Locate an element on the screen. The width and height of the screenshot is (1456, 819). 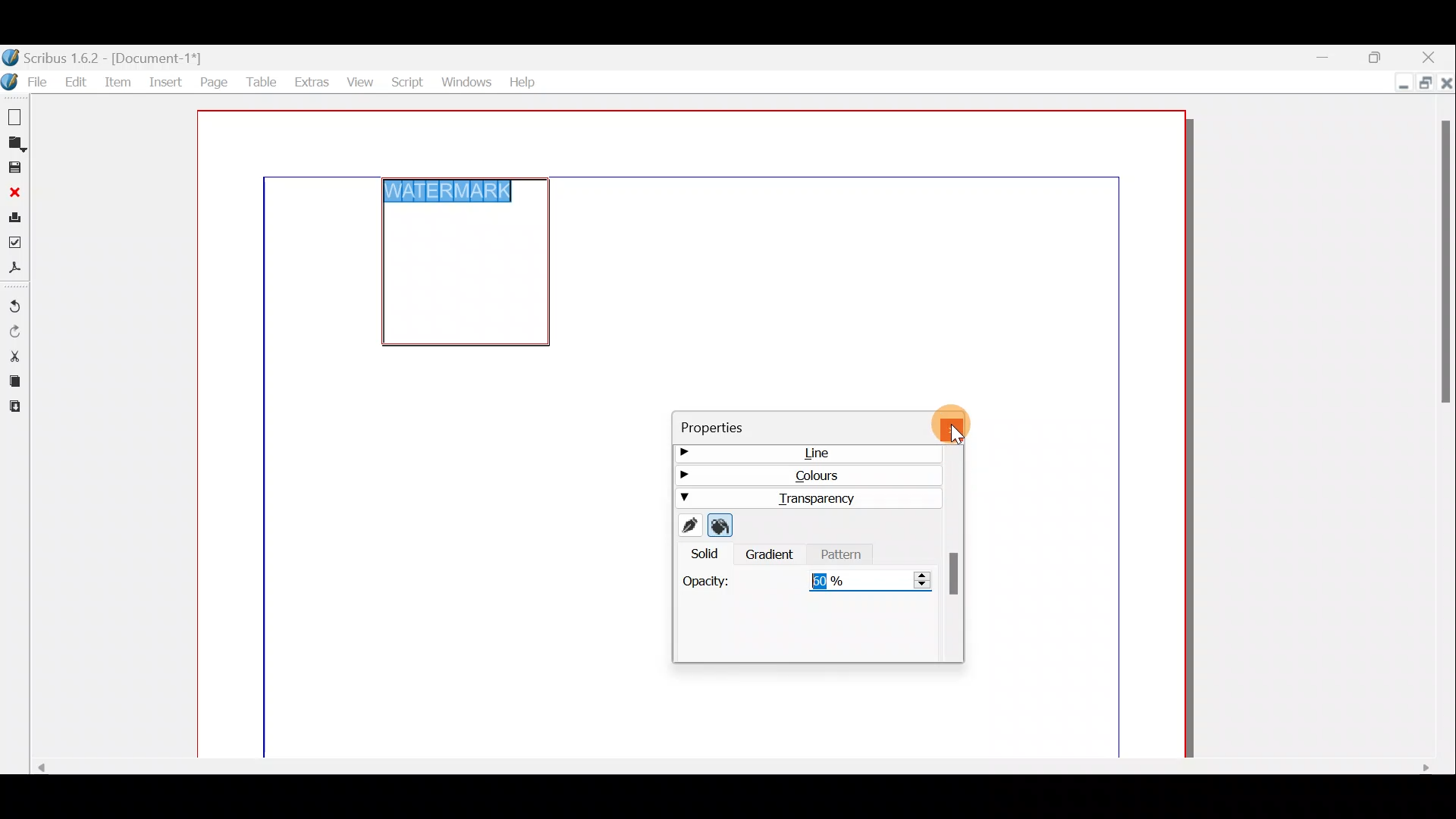
Properties is located at coordinates (776, 425).